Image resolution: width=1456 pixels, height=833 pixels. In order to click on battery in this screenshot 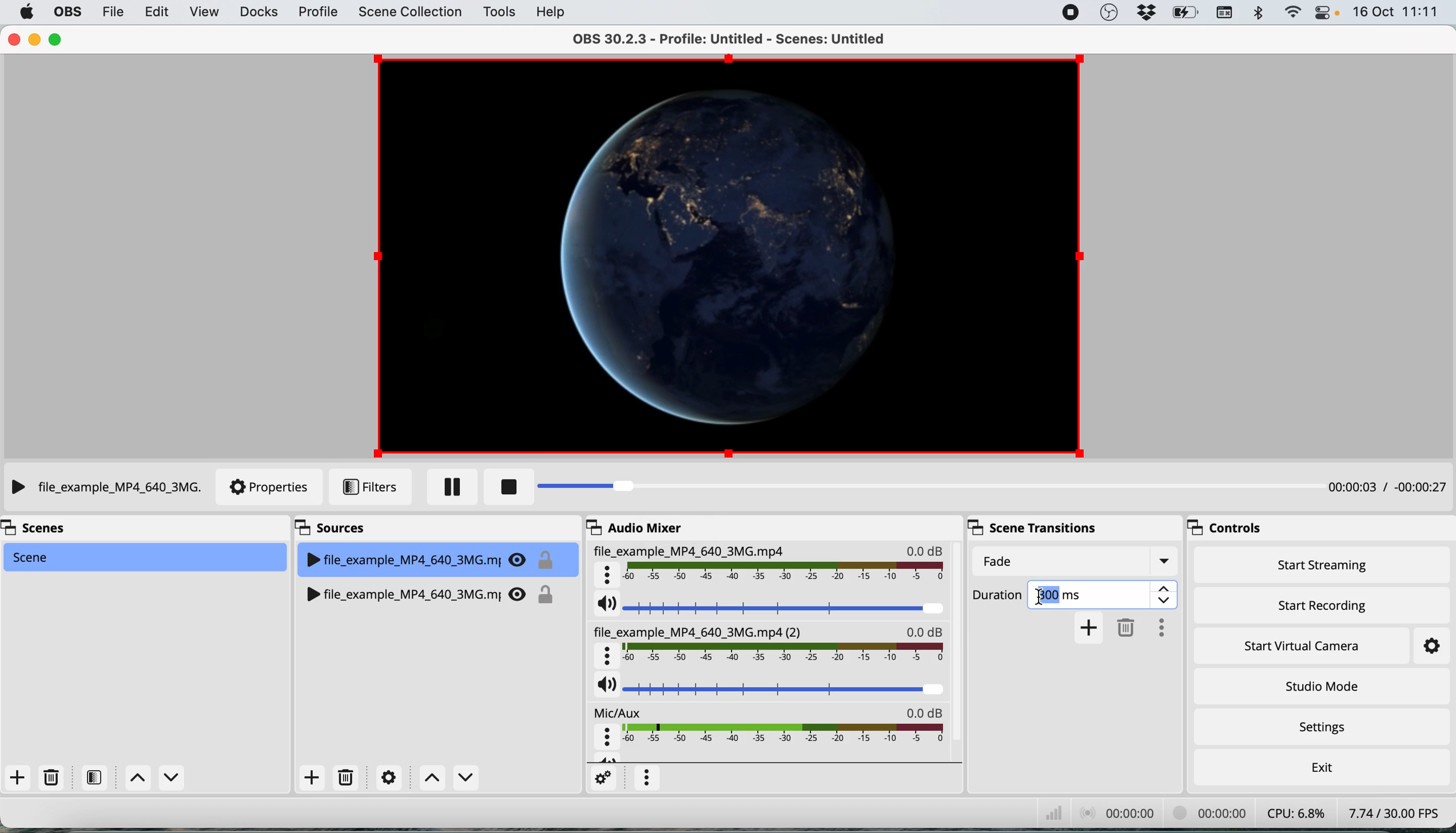, I will do `click(1188, 15)`.